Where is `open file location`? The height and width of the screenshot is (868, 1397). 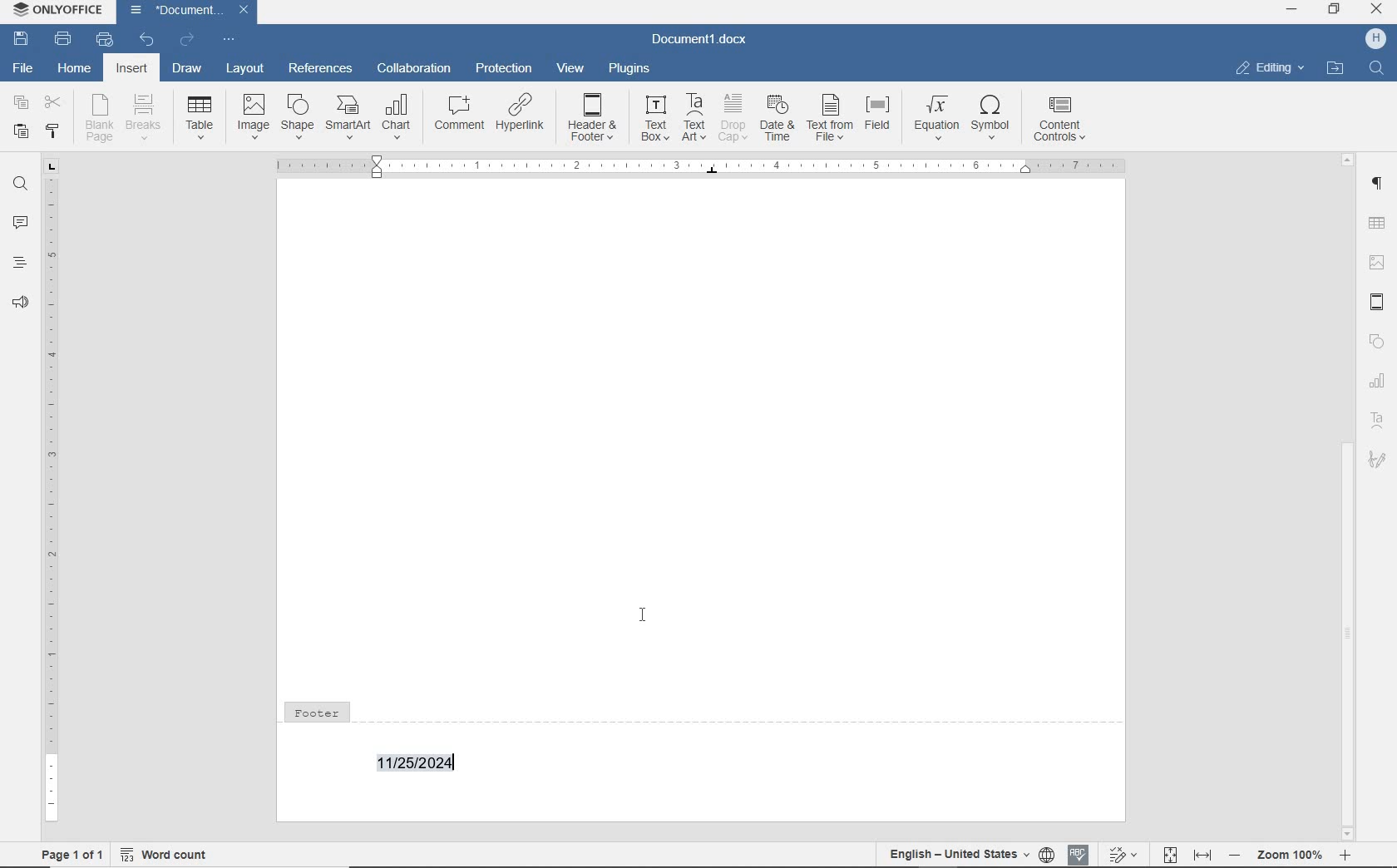
open file location is located at coordinates (1337, 68).